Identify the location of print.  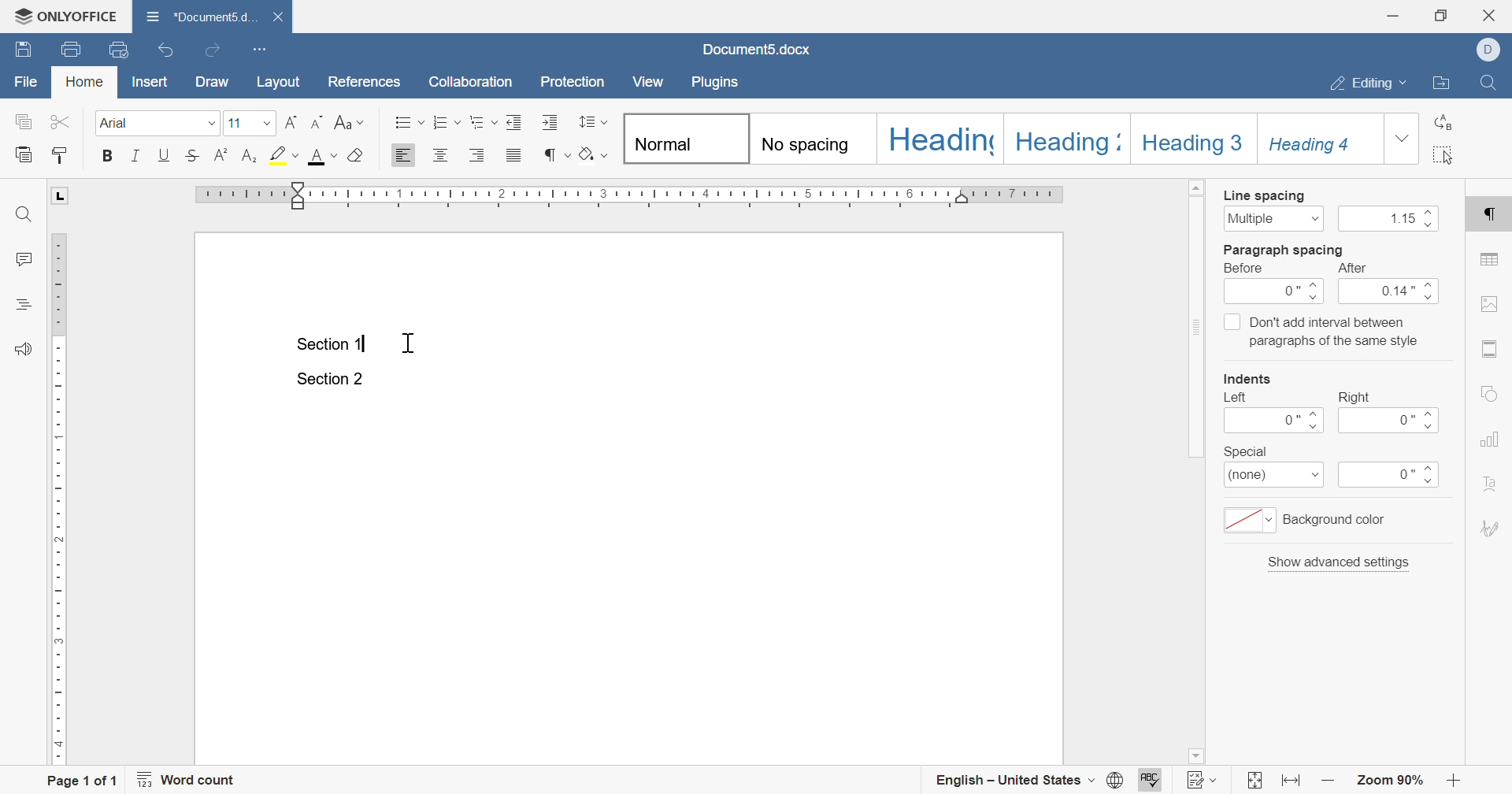
(75, 50).